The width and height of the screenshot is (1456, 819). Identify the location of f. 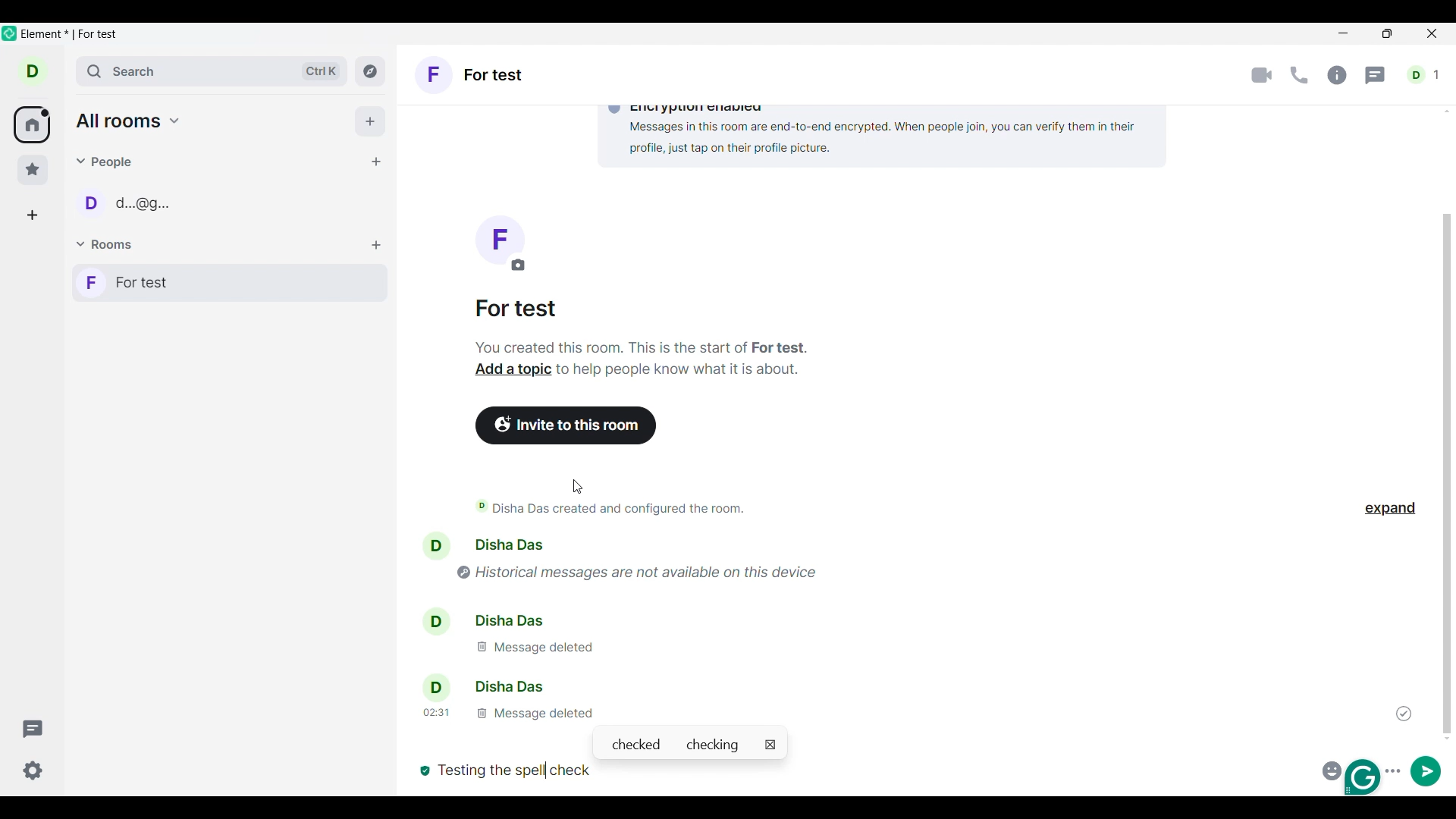
(499, 243).